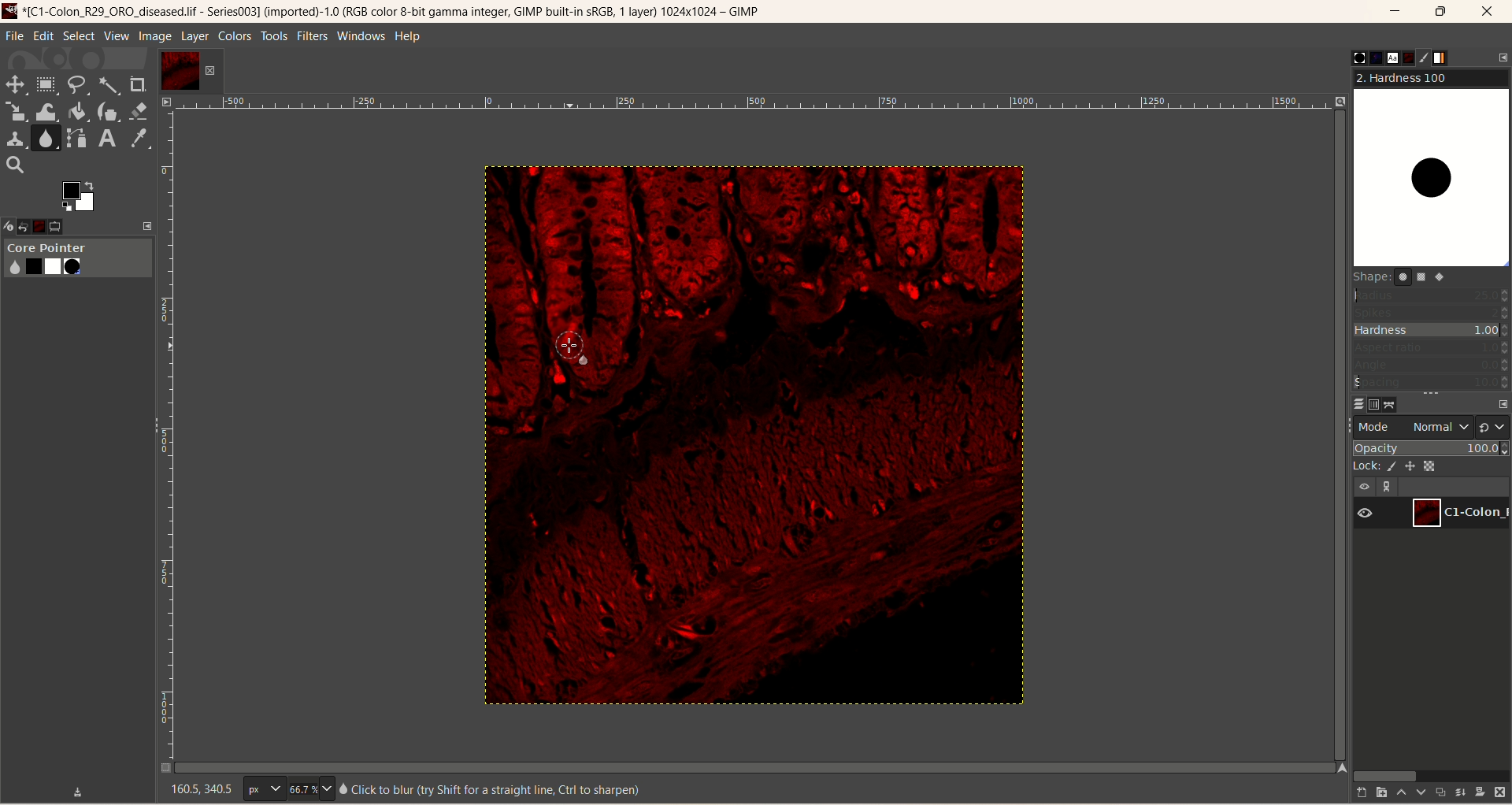 Image resolution: width=1512 pixels, height=805 pixels. What do you see at coordinates (1436, 427) in the screenshot?
I see `normal` at bounding box center [1436, 427].